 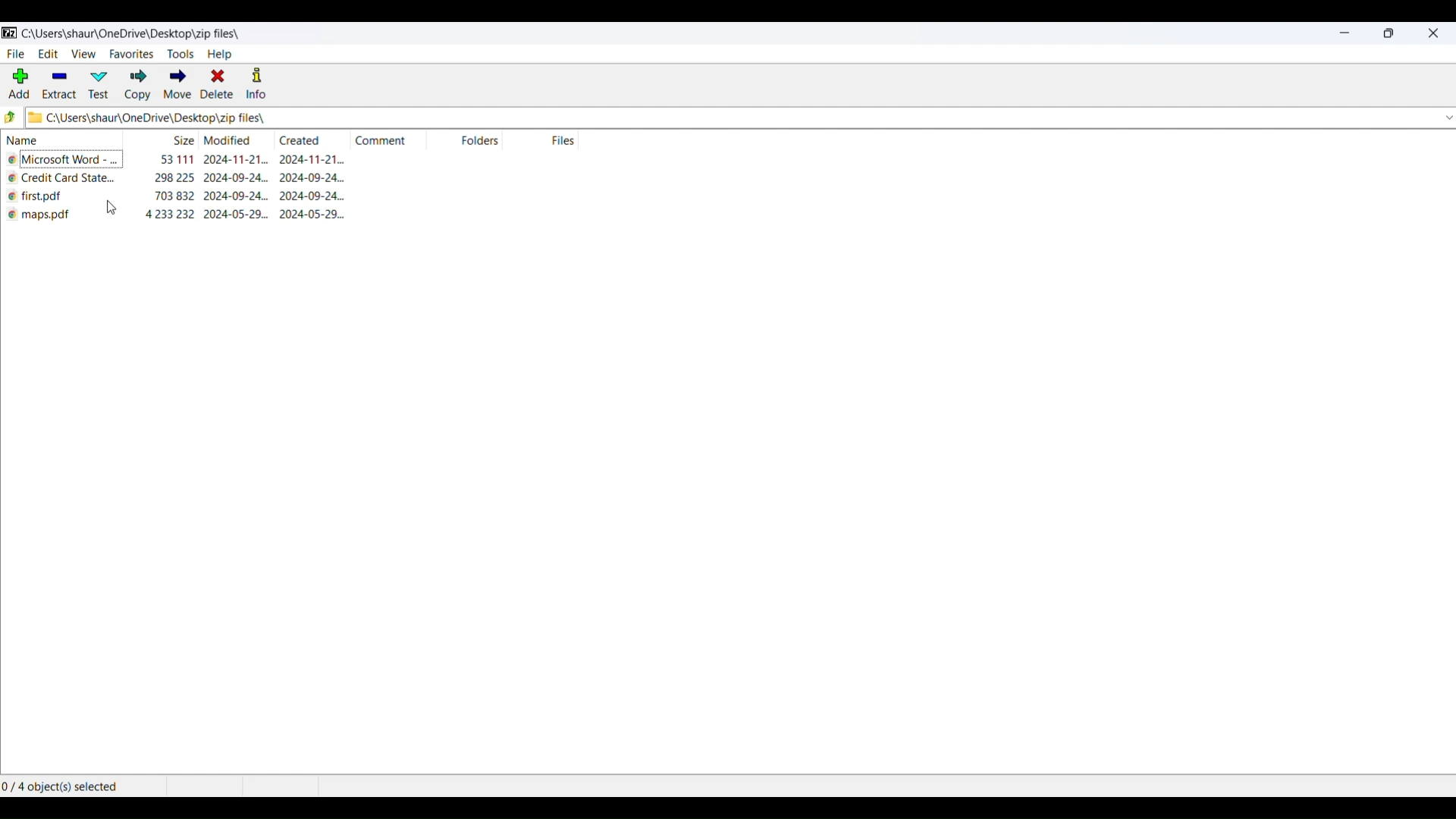 What do you see at coordinates (99, 86) in the screenshot?
I see `test` at bounding box center [99, 86].